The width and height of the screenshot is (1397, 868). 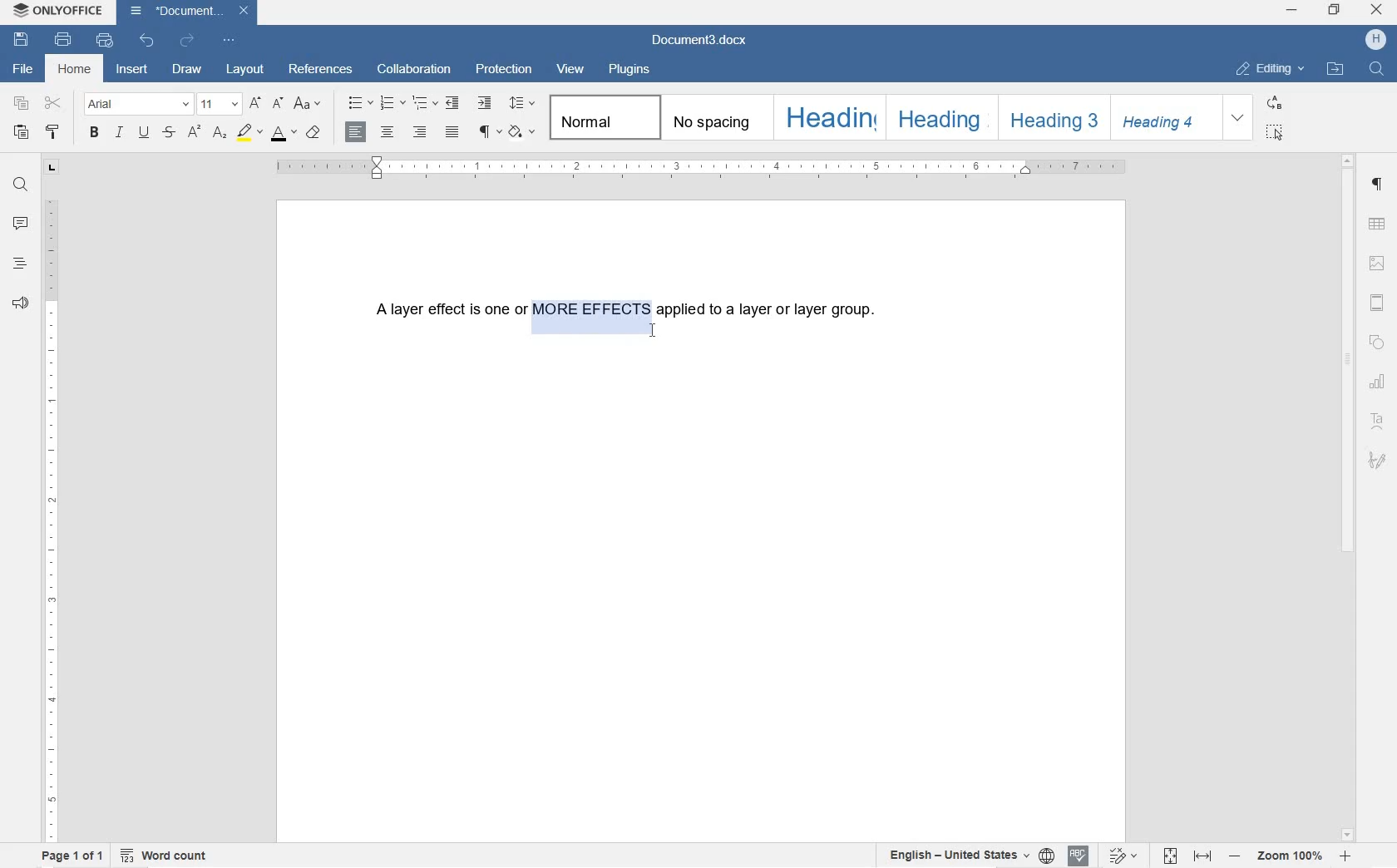 I want to click on ALIGN CENTER, so click(x=387, y=133).